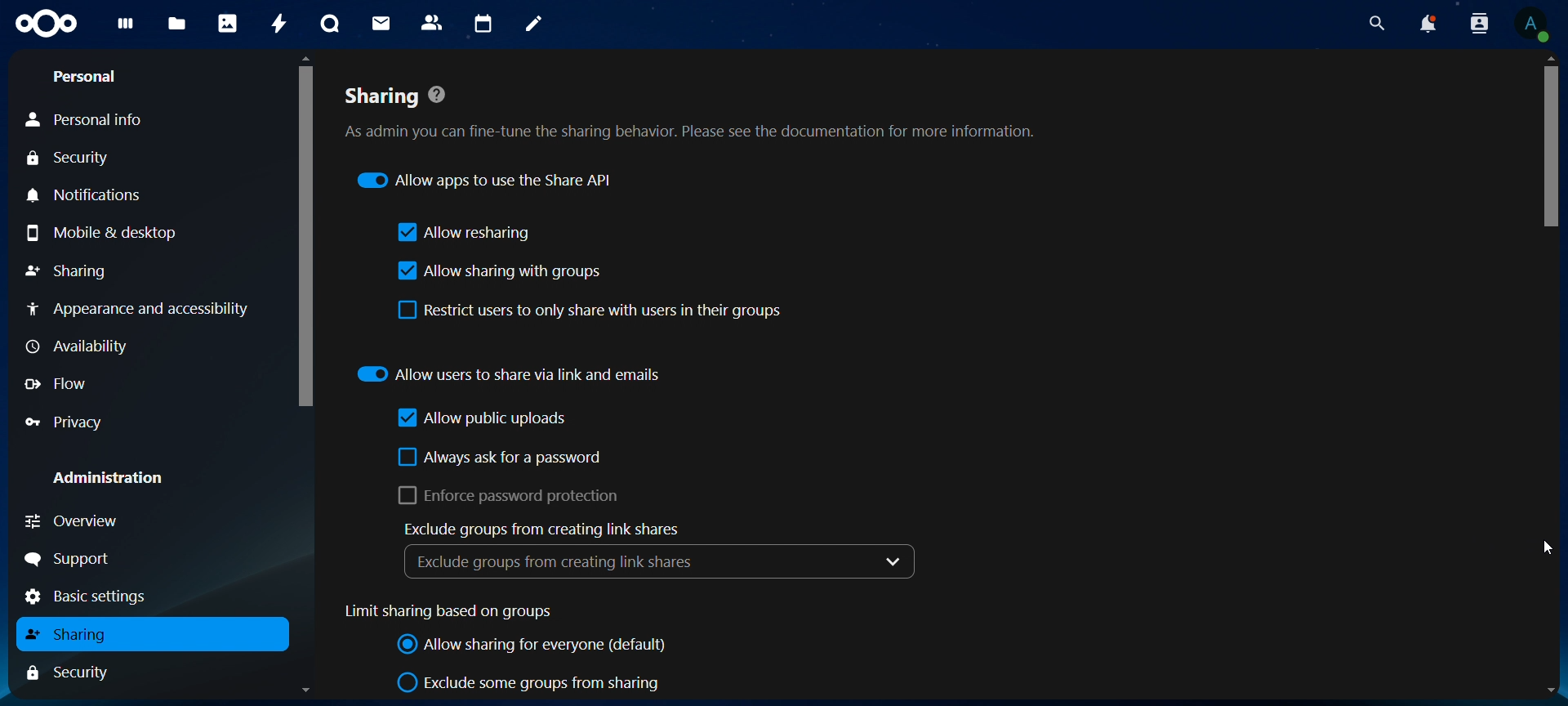 The height and width of the screenshot is (706, 1568). I want to click on search, so click(1373, 24).